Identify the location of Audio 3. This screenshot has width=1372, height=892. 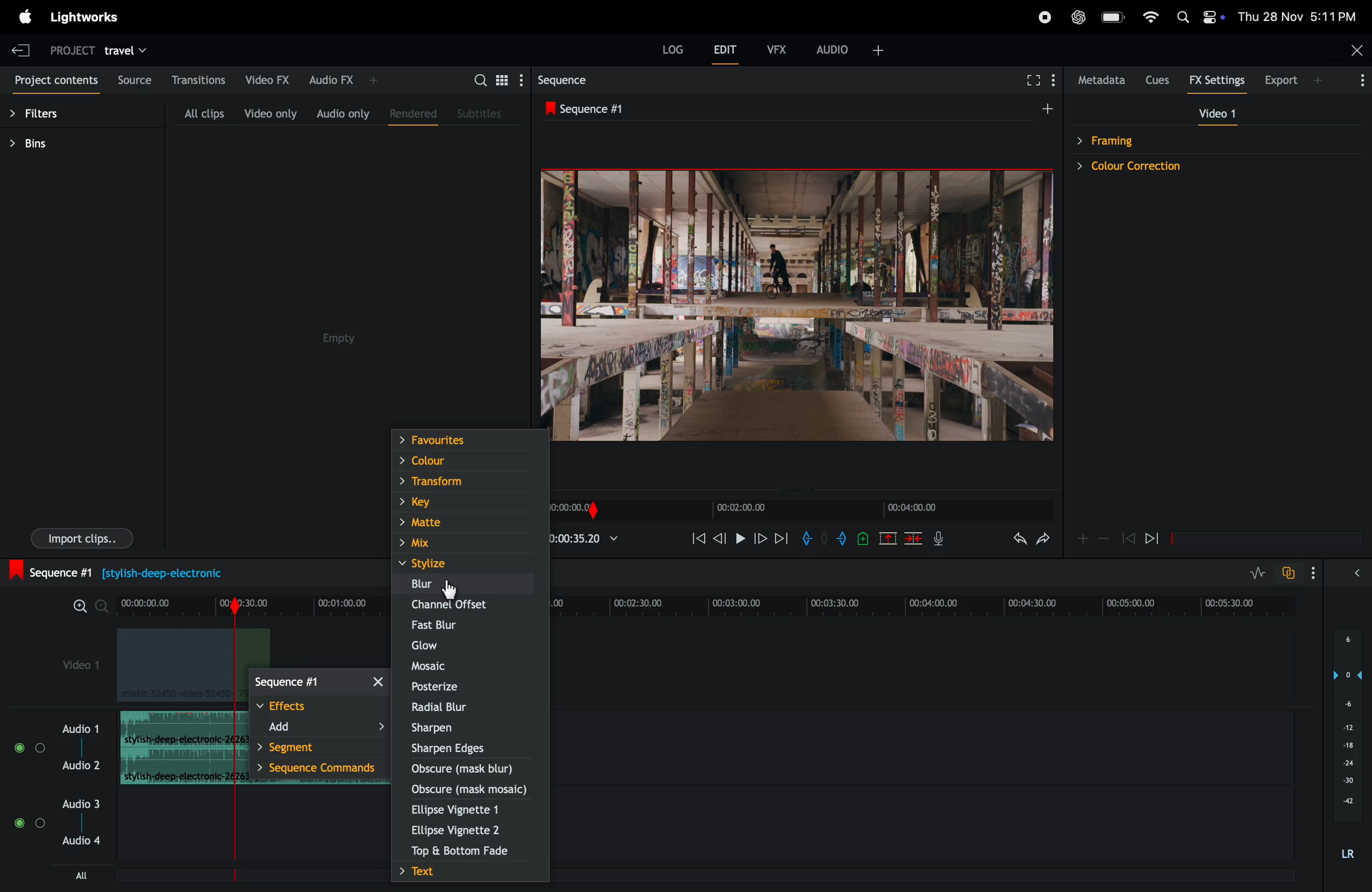
(80, 804).